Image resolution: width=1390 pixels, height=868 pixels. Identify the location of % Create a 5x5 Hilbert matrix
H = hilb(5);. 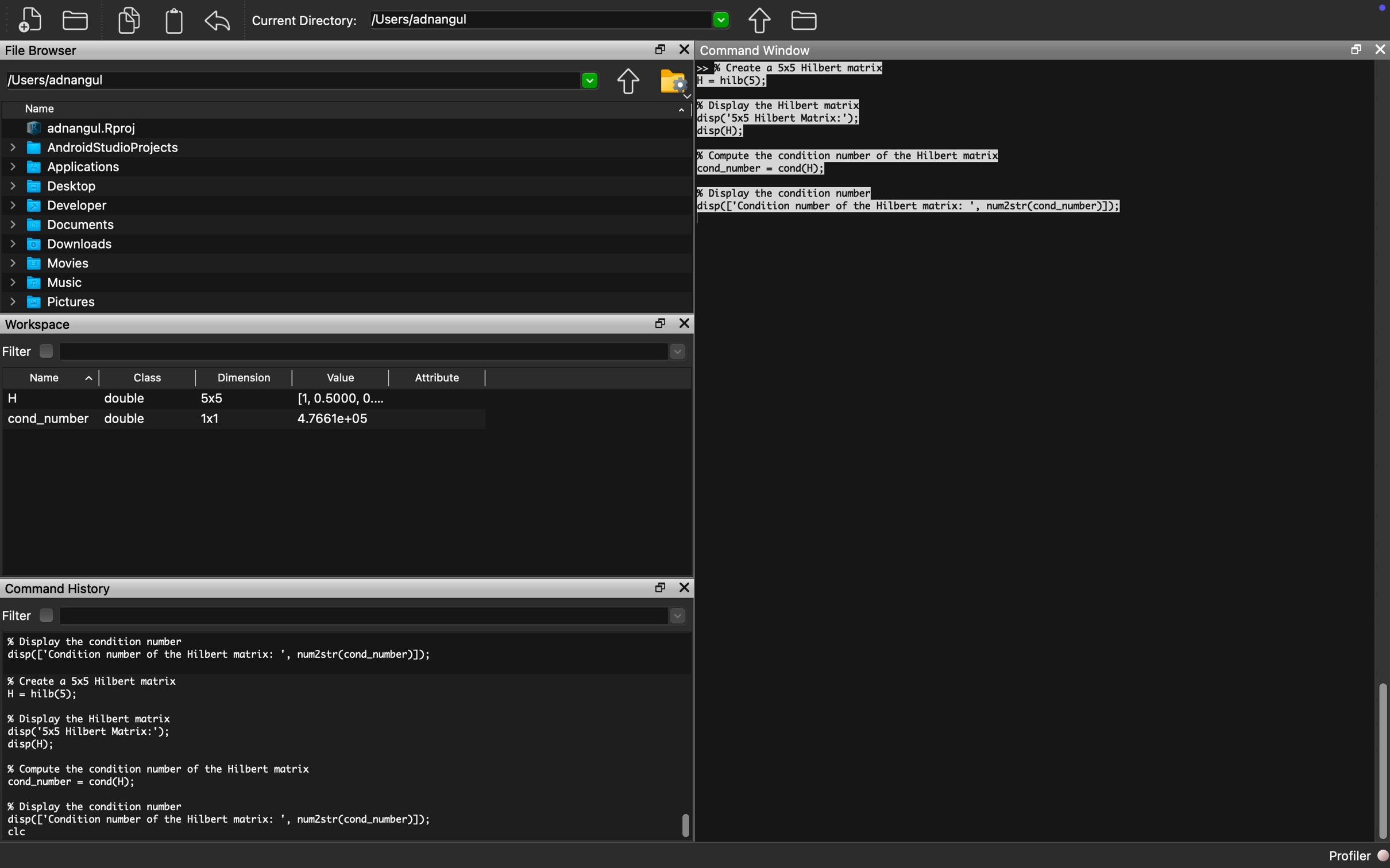
(94, 688).